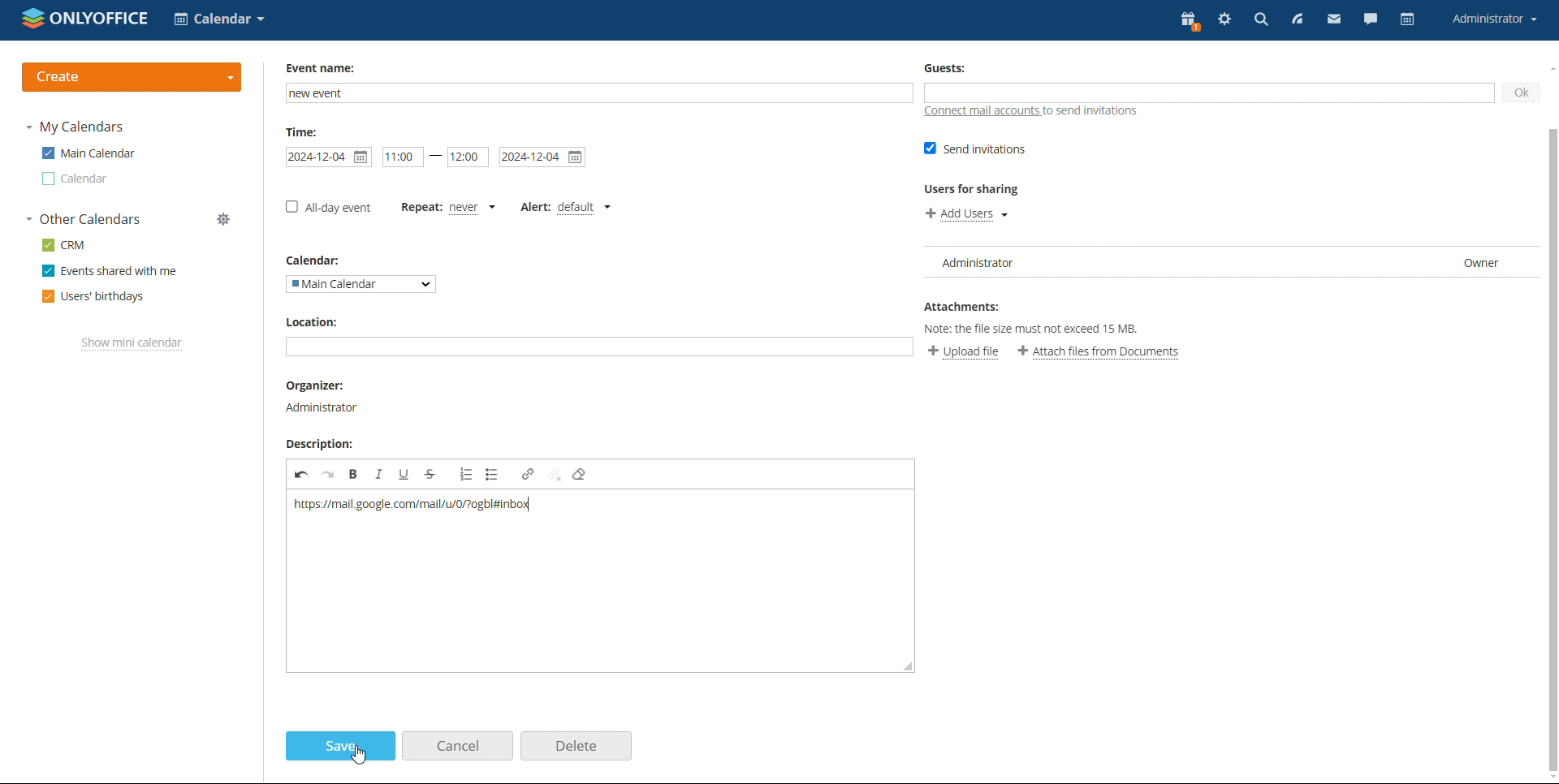  Describe the element at coordinates (92, 296) in the screenshot. I see `users' birthdays` at that location.